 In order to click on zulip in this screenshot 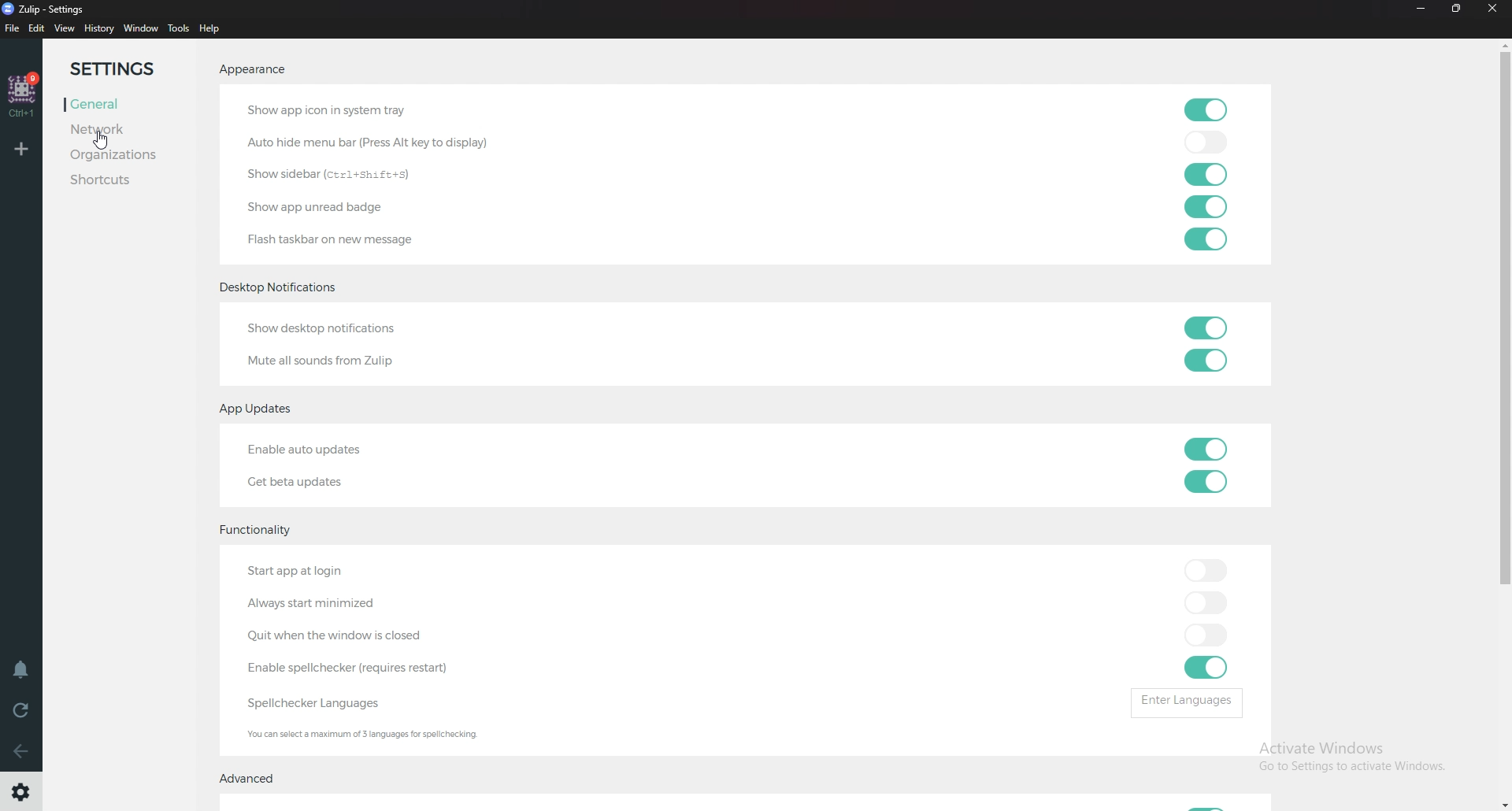, I will do `click(49, 9)`.